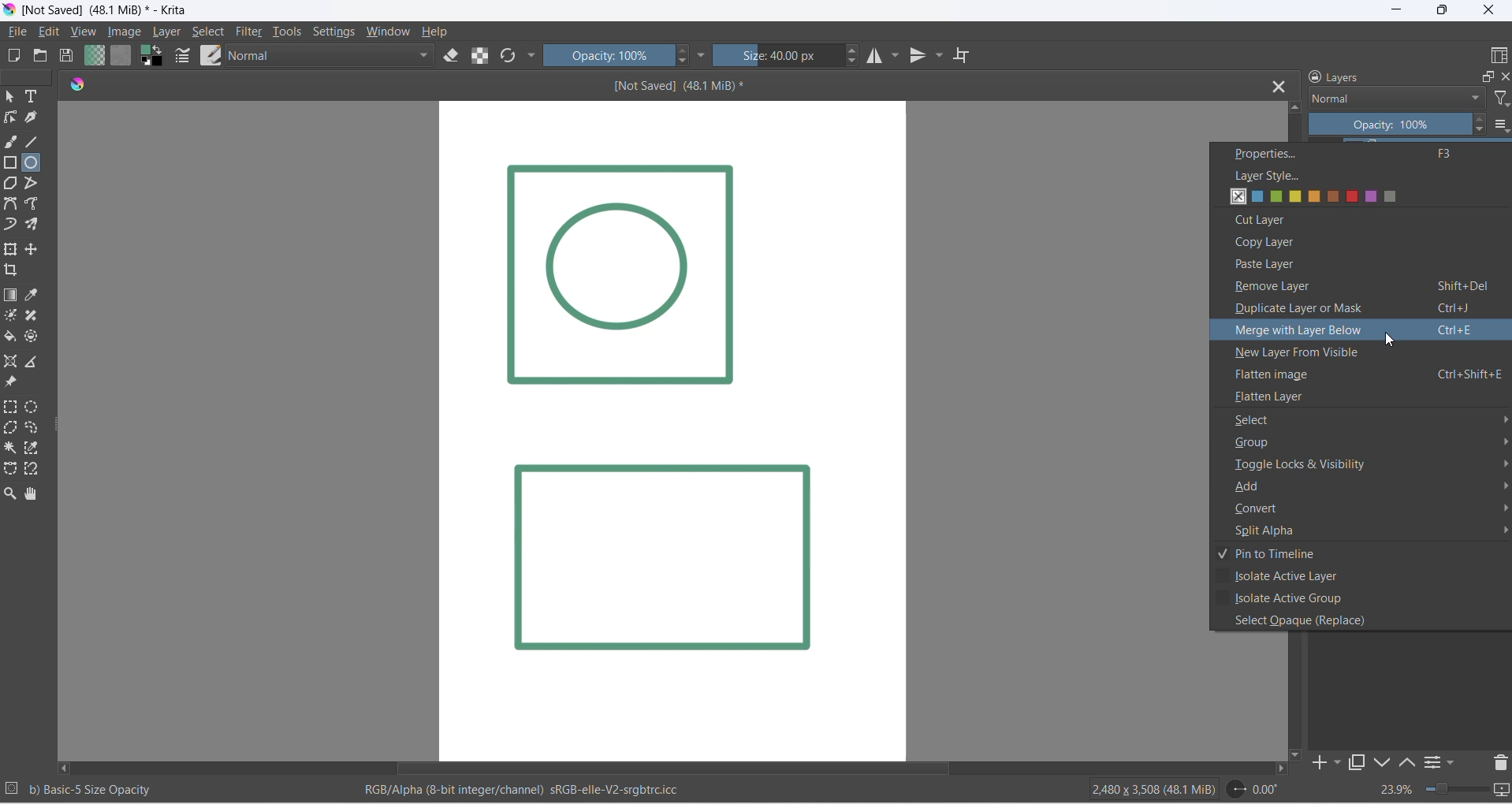 Image resolution: width=1512 pixels, height=804 pixels. What do you see at coordinates (1359, 268) in the screenshot?
I see `paste layer` at bounding box center [1359, 268].